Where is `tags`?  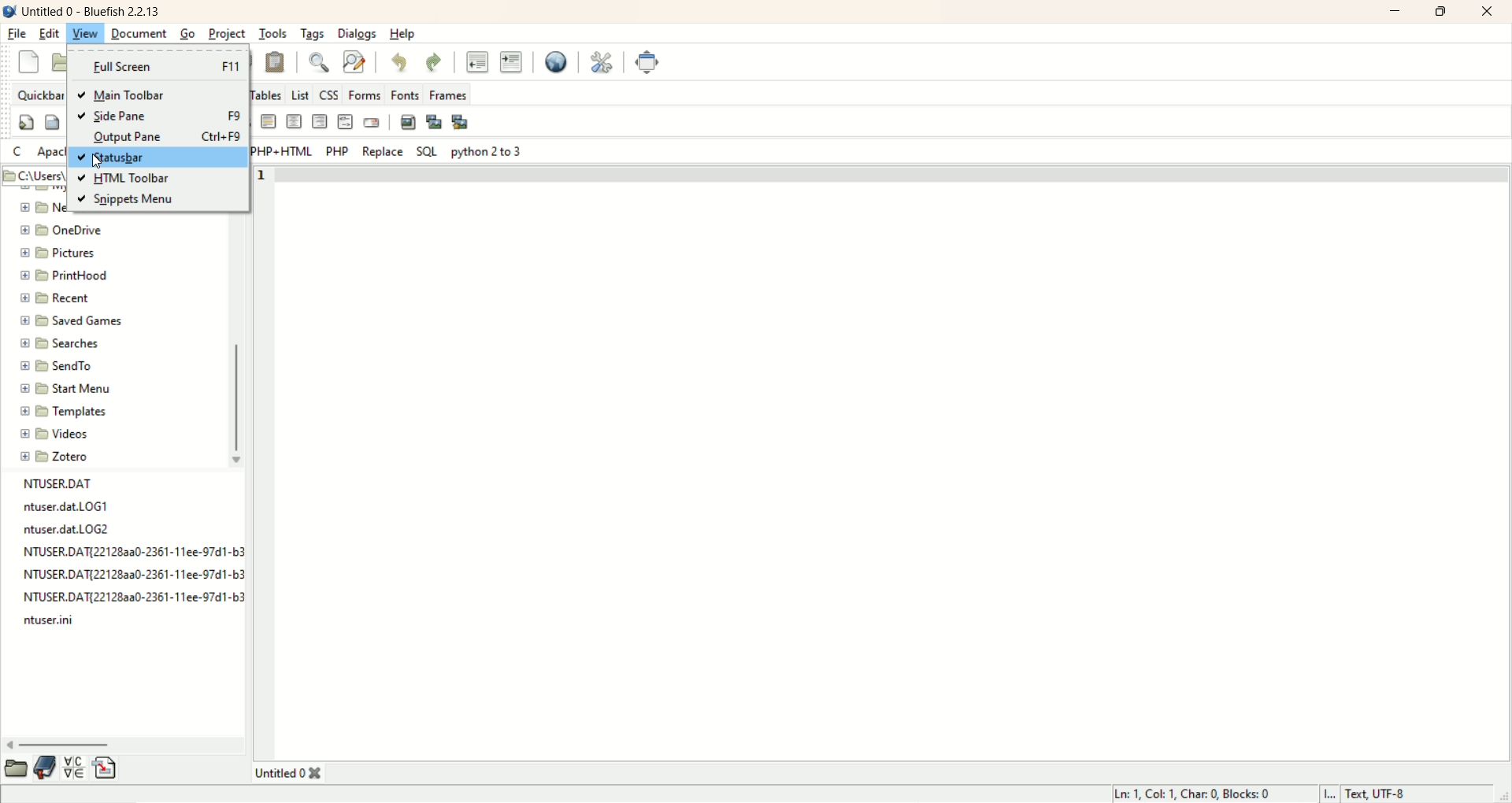 tags is located at coordinates (314, 33).